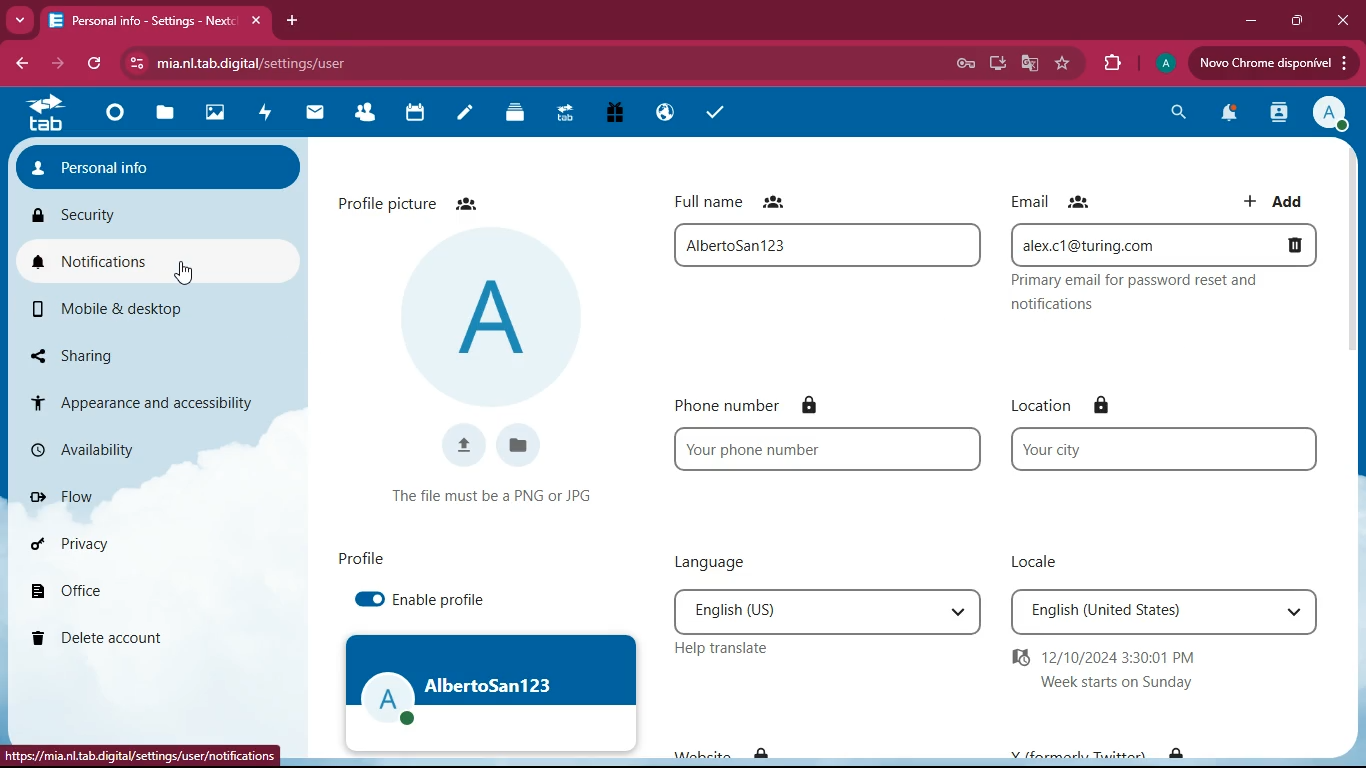 This screenshot has width=1366, height=768. Describe the element at coordinates (1163, 243) in the screenshot. I see `email` at that location.